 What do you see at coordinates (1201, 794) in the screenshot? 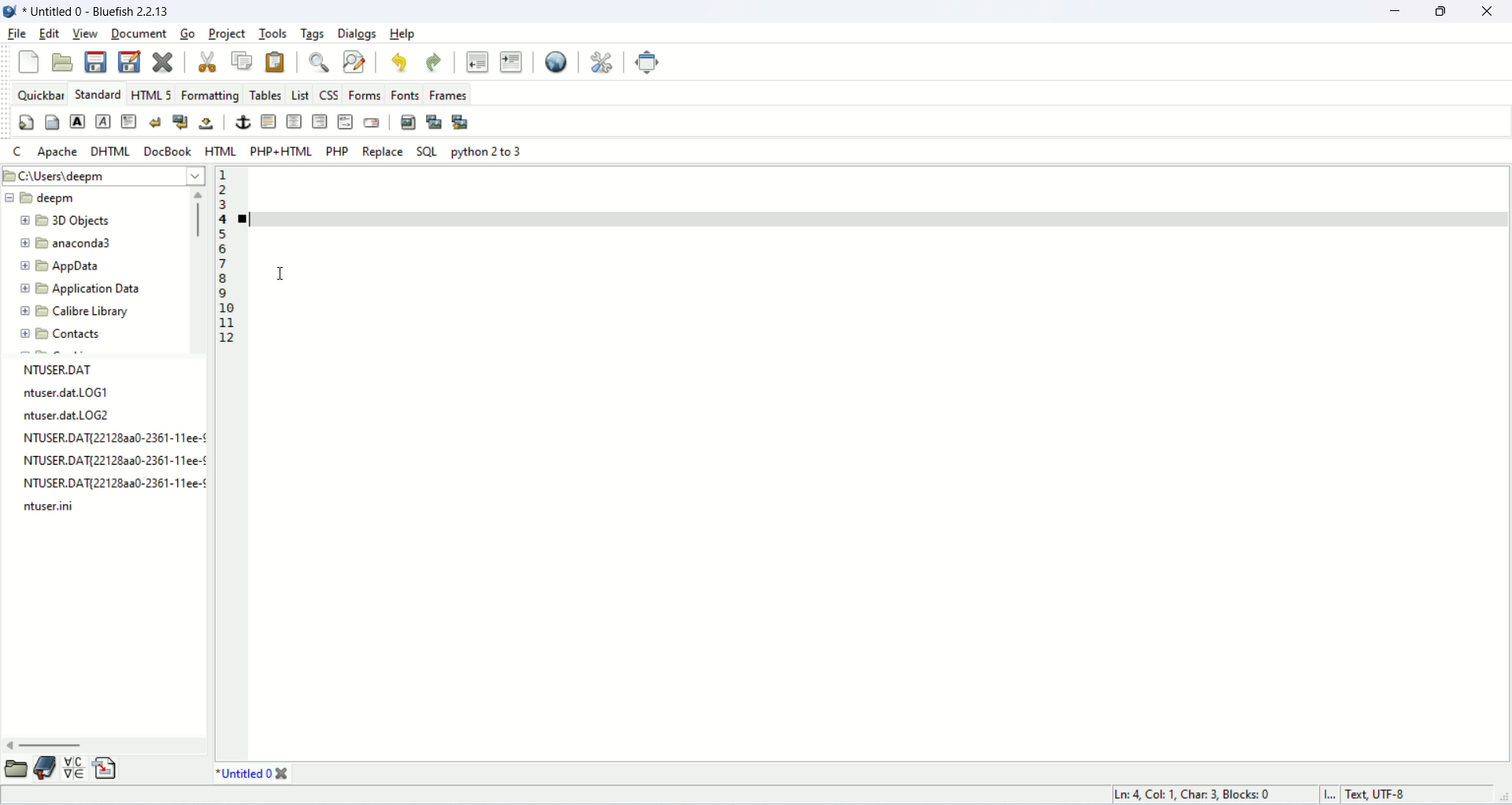
I see `cursor position` at bounding box center [1201, 794].